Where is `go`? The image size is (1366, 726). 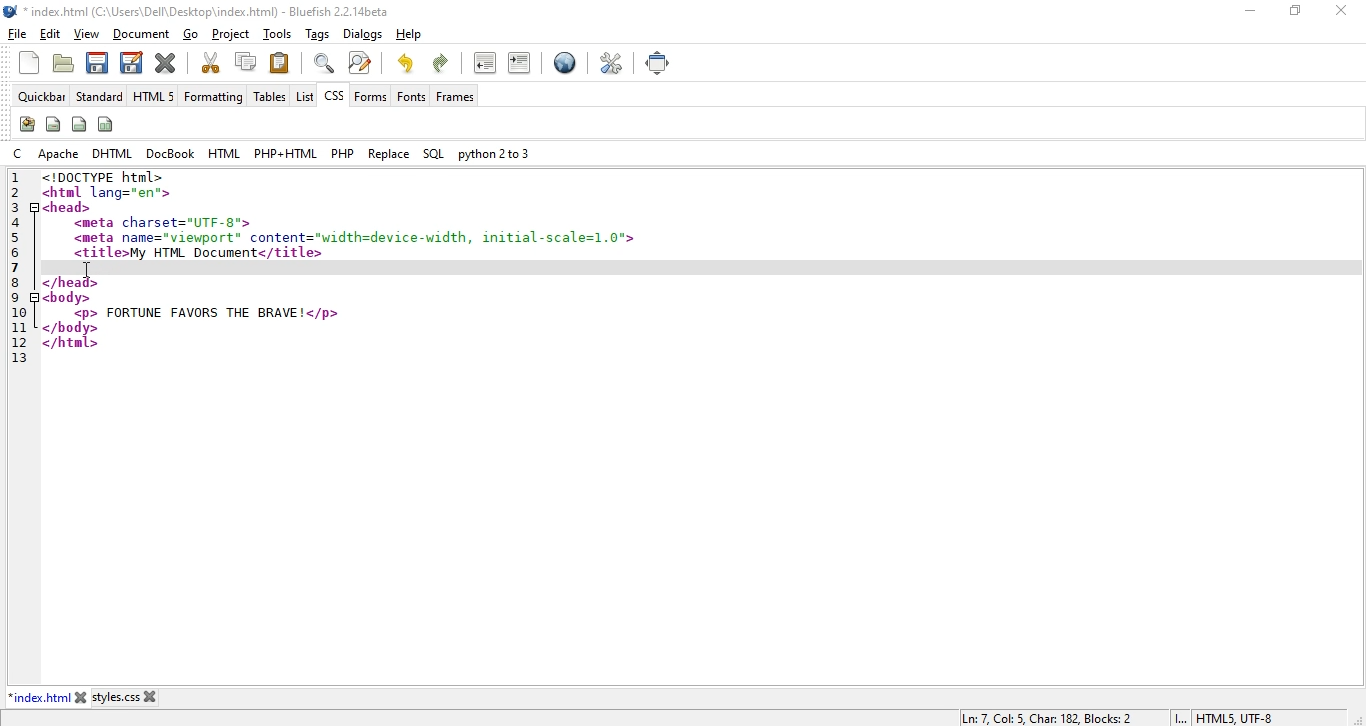
go is located at coordinates (191, 35).